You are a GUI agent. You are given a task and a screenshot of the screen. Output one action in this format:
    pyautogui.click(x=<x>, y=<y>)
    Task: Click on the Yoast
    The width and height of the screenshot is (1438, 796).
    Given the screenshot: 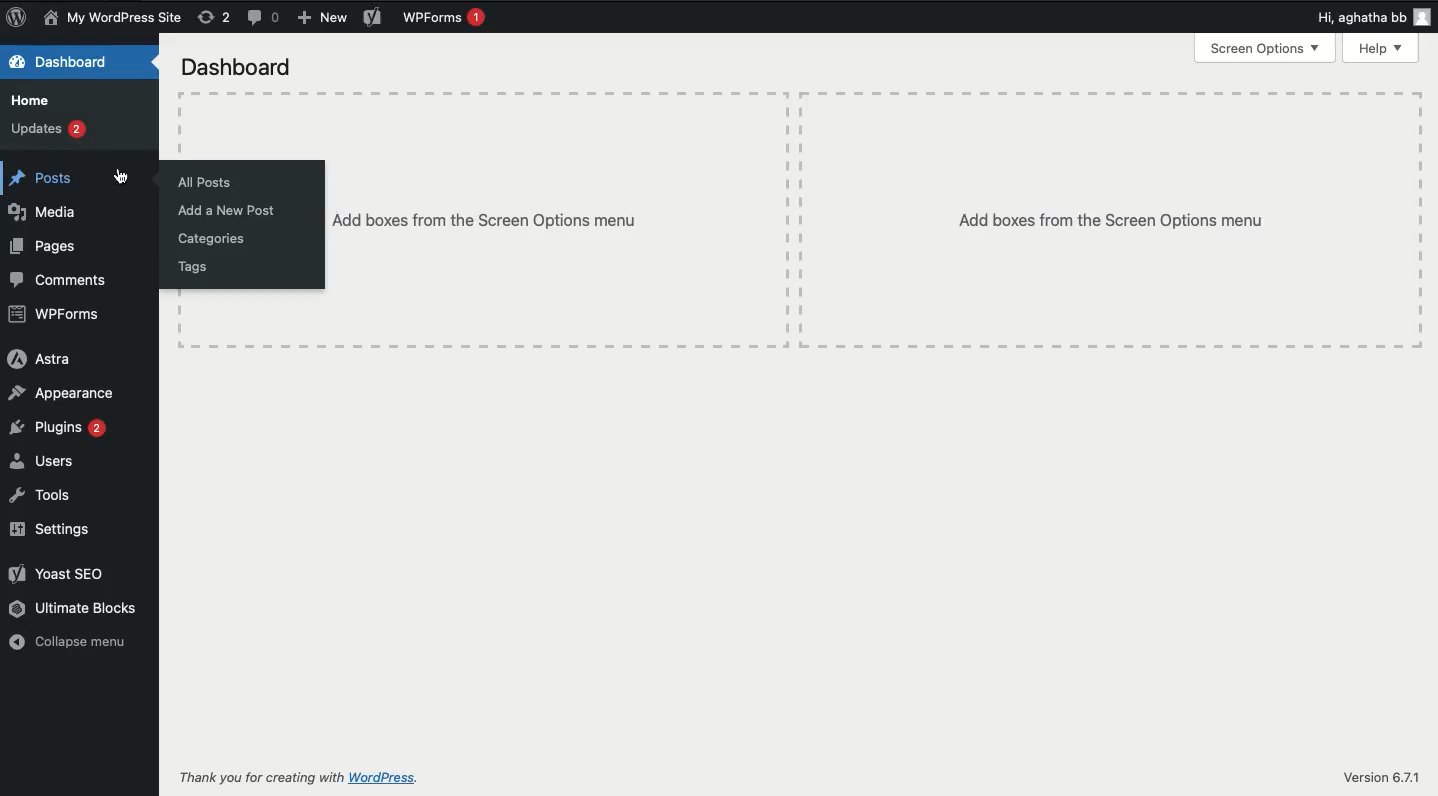 What is the action you would take?
    pyautogui.click(x=70, y=573)
    